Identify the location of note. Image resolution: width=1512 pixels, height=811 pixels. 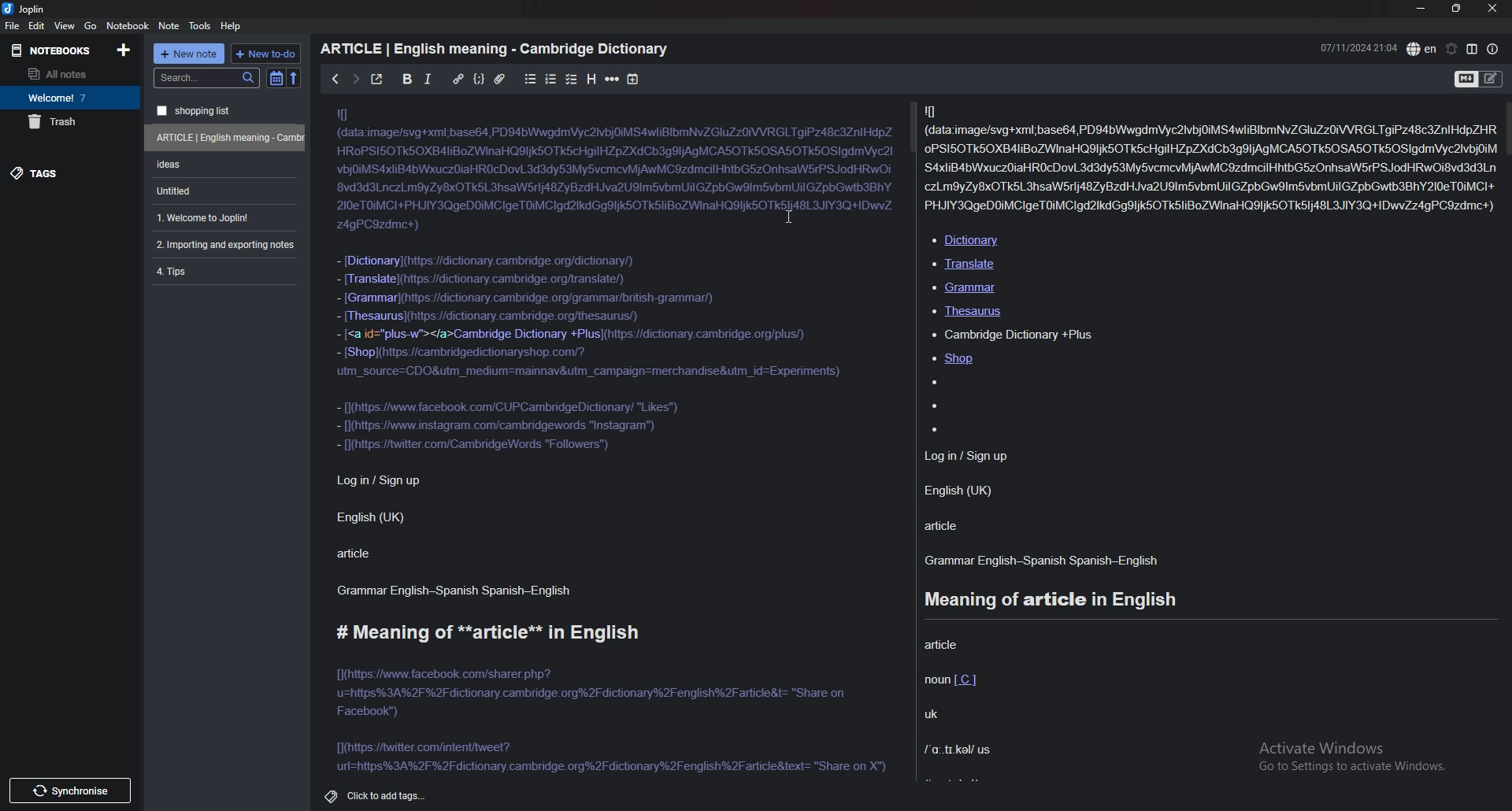
(226, 191).